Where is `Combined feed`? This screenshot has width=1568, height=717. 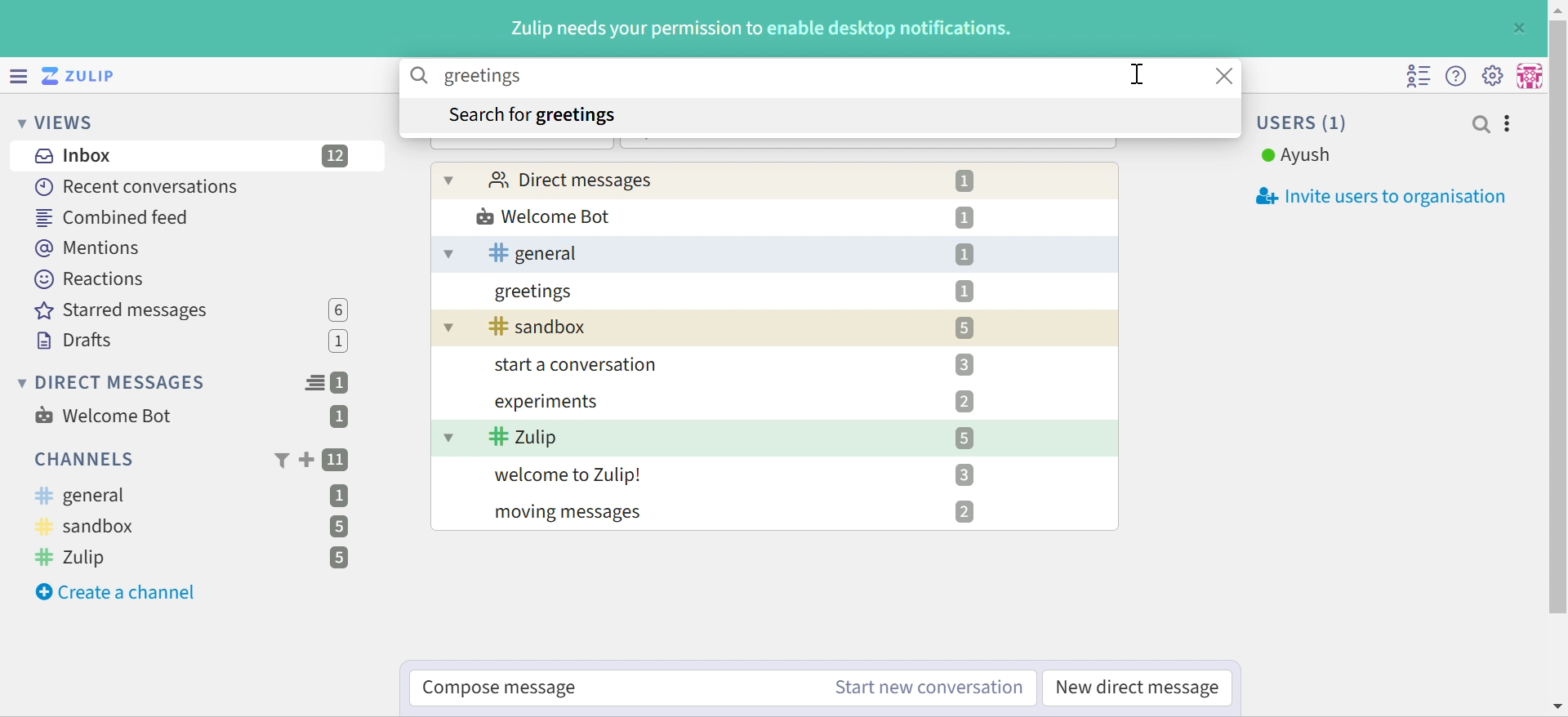
Combined feed is located at coordinates (112, 218).